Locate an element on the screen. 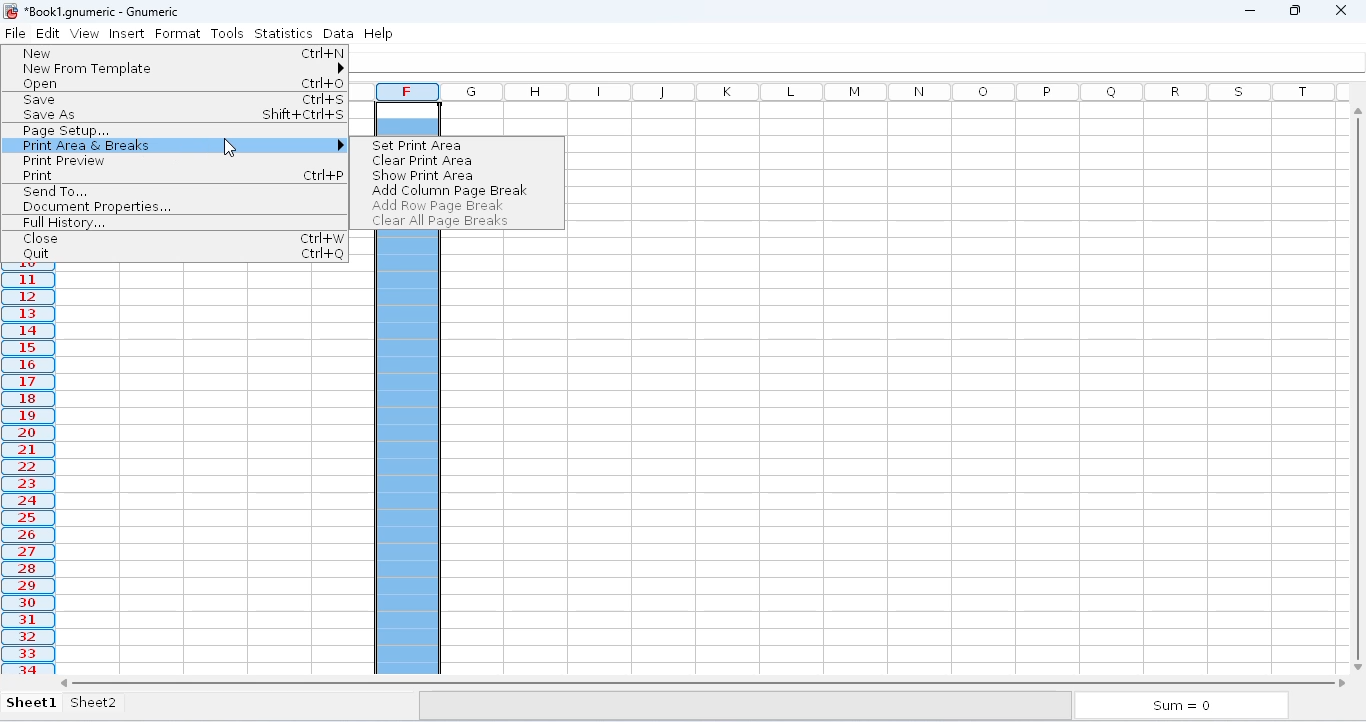 The width and height of the screenshot is (1366, 722). shortcut for new is located at coordinates (323, 53).